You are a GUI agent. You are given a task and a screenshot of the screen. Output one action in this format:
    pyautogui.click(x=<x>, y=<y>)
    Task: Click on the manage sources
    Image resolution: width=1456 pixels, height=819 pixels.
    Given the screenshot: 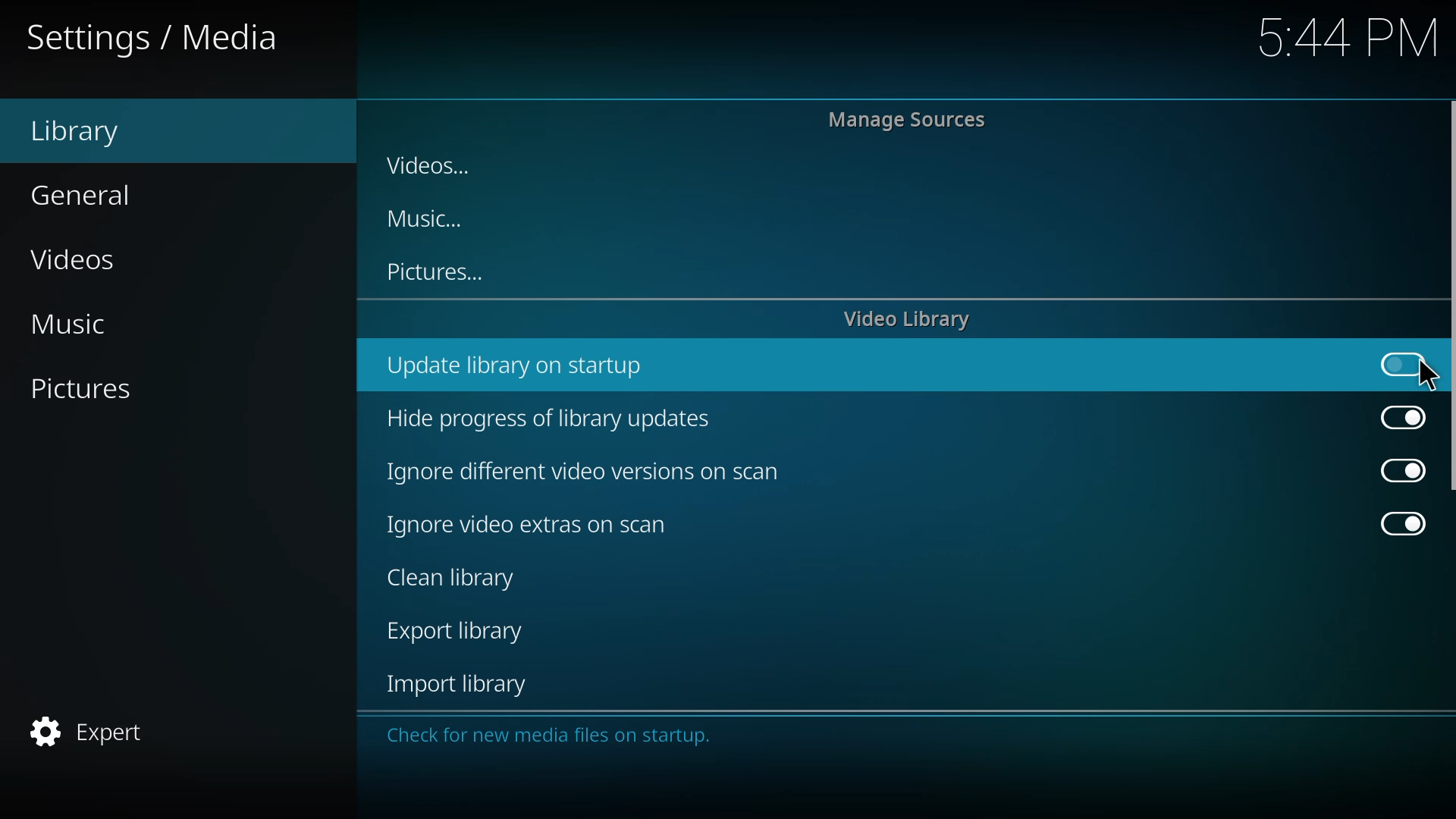 What is the action you would take?
    pyautogui.click(x=904, y=120)
    